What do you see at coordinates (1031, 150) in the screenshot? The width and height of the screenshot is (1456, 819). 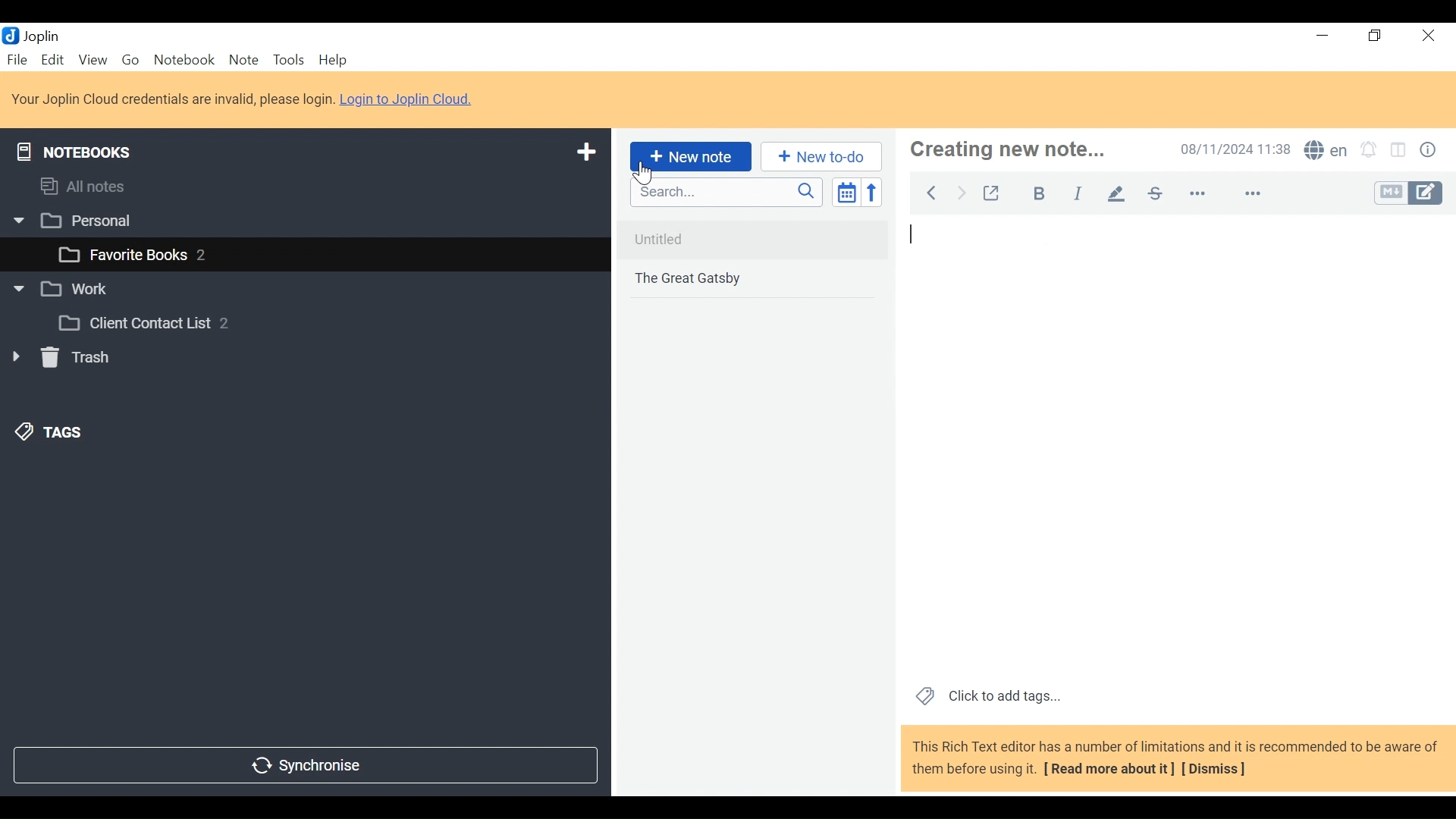 I see `Creating new note...` at bounding box center [1031, 150].